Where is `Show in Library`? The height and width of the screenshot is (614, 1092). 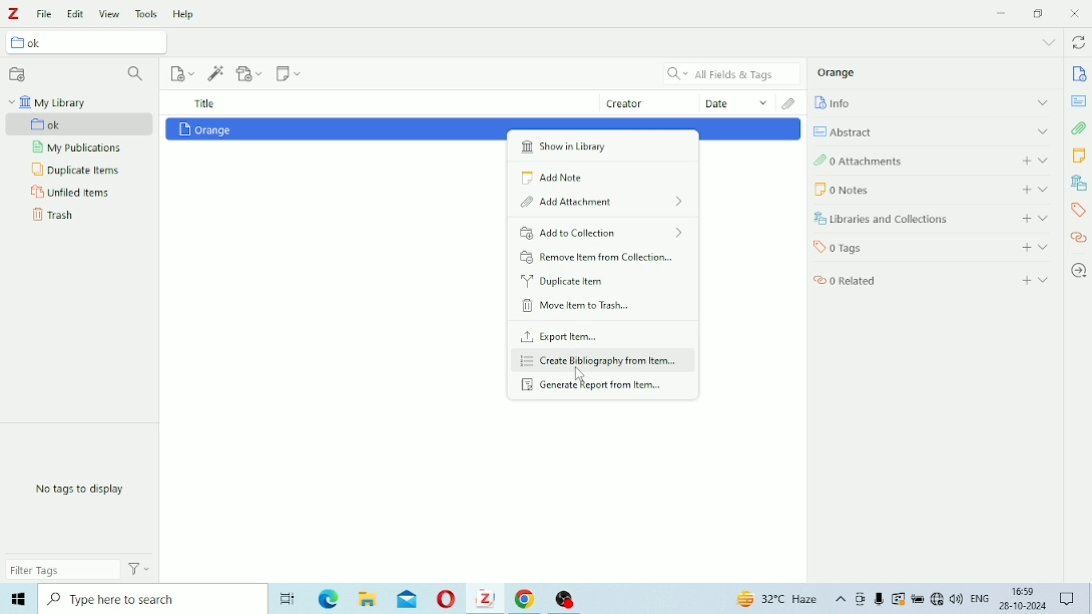 Show in Library is located at coordinates (582, 147).